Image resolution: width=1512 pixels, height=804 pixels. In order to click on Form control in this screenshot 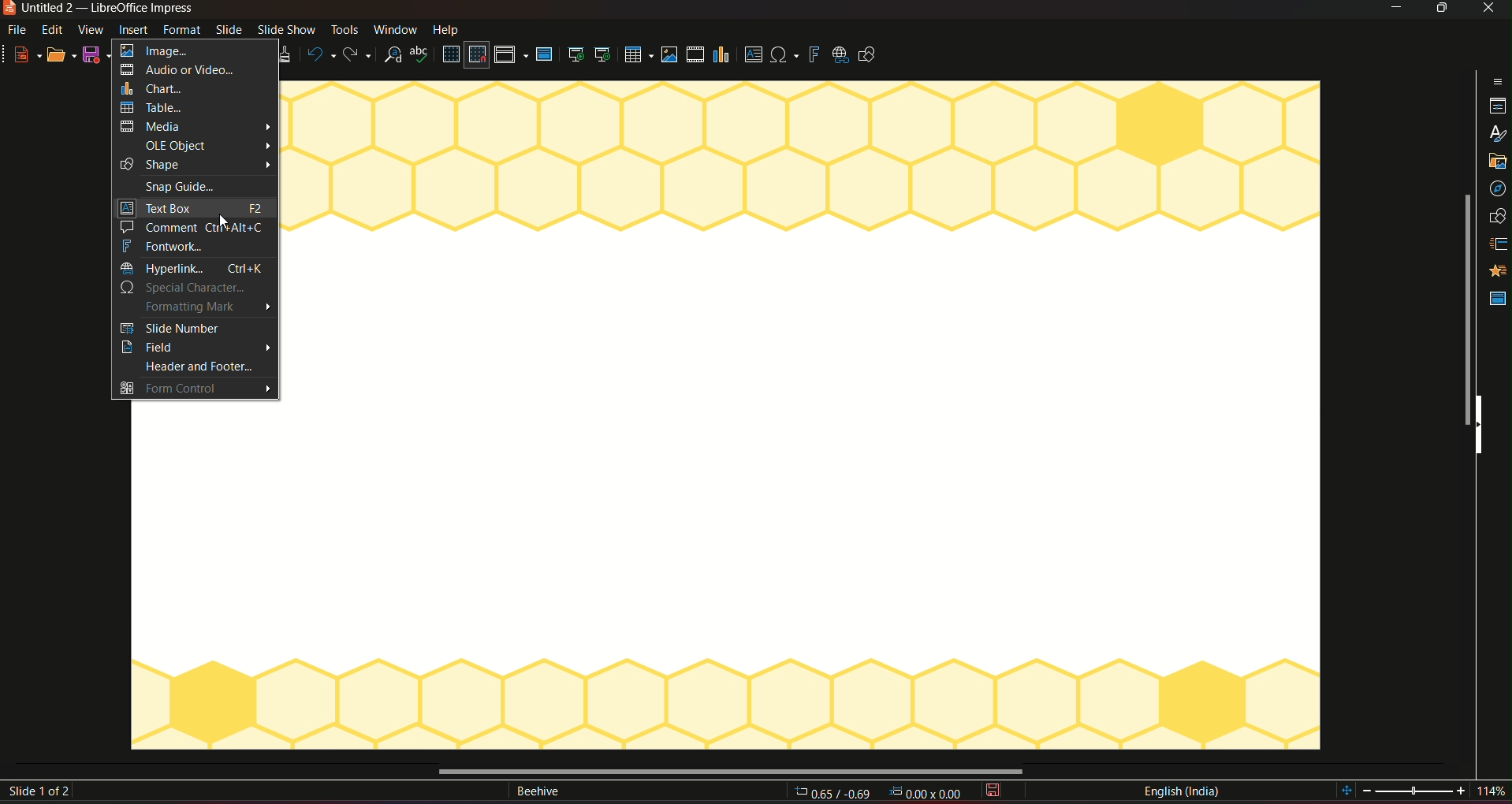, I will do `click(196, 389)`.